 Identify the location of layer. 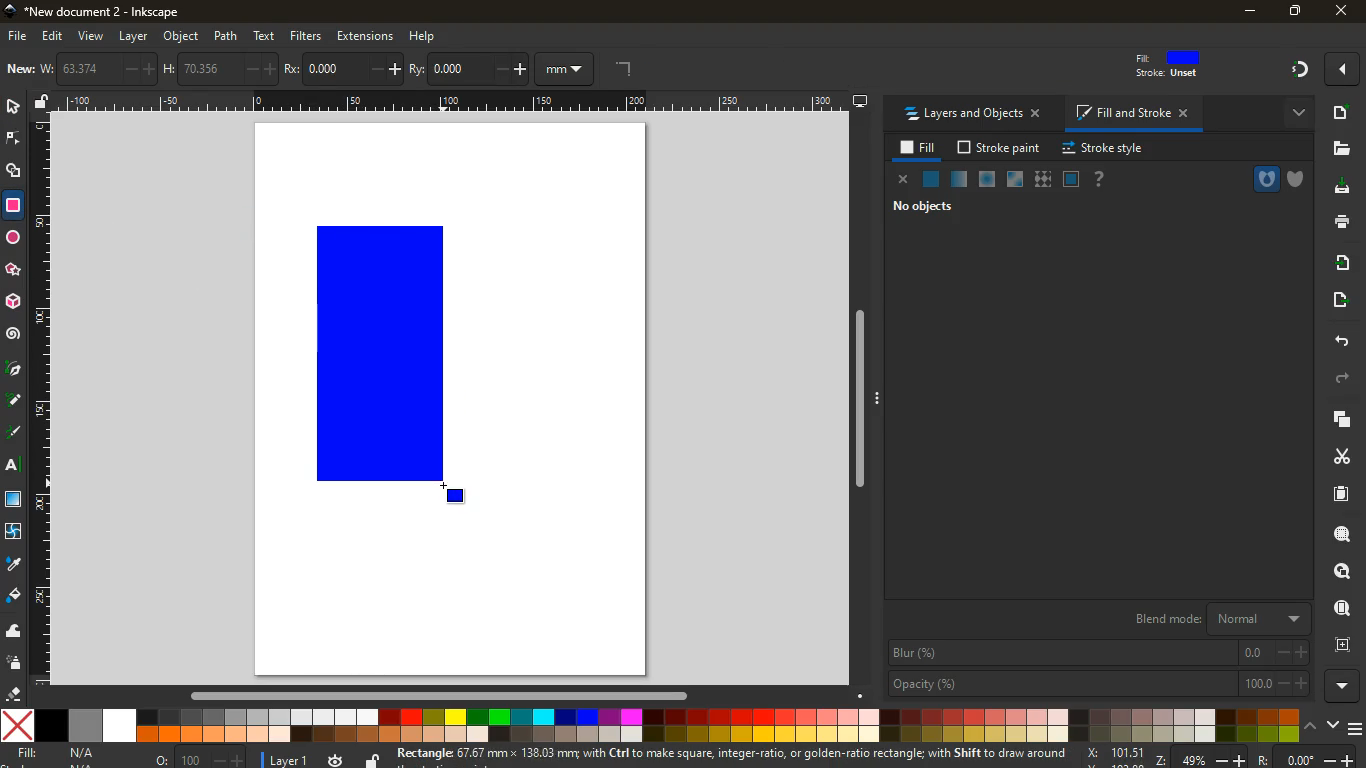
(133, 37).